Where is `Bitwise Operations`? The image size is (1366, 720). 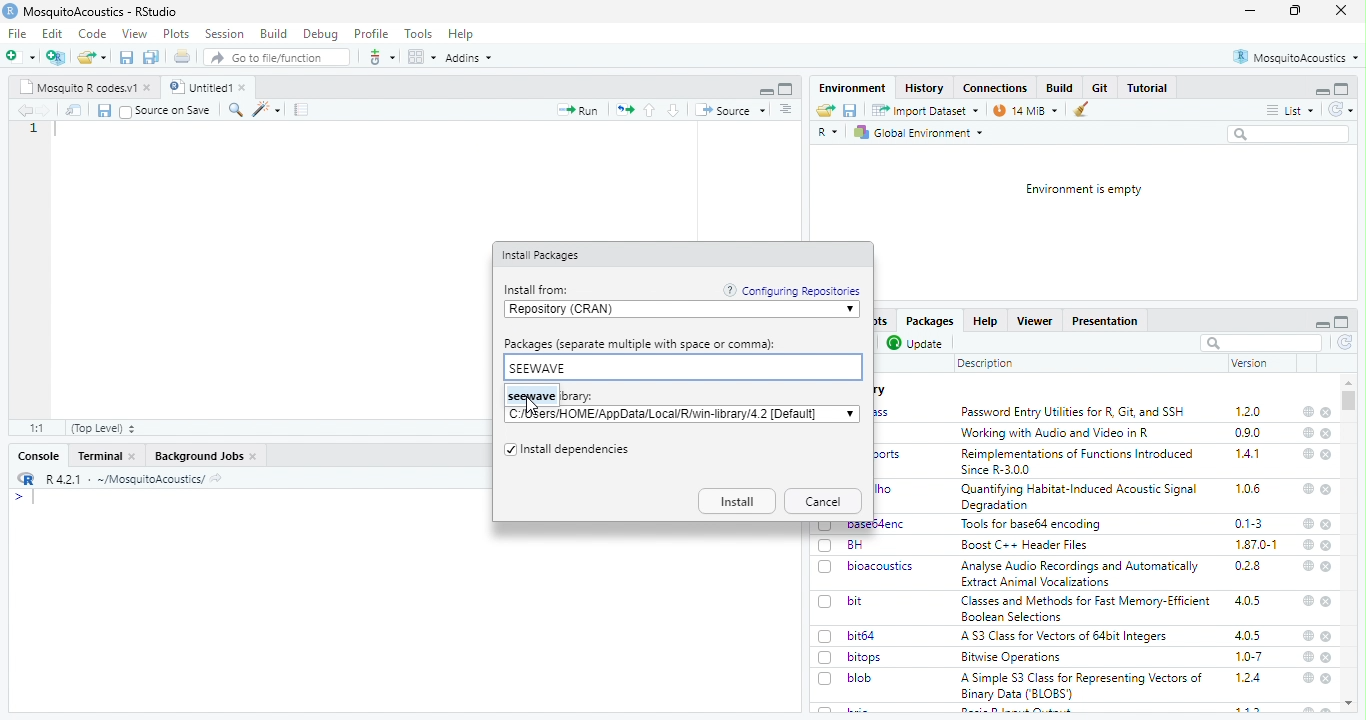 Bitwise Operations is located at coordinates (1013, 658).